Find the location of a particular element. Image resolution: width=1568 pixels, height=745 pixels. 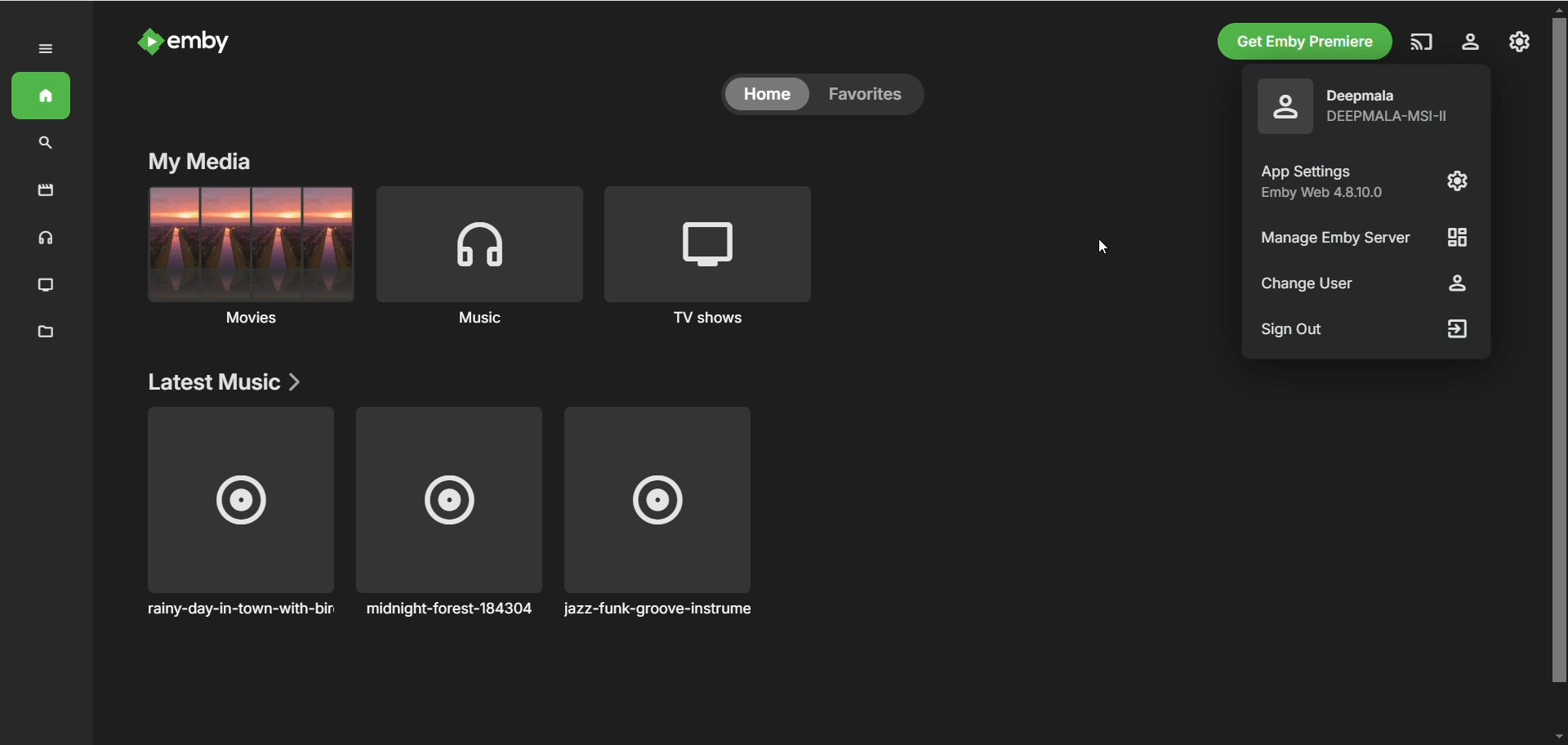

music is located at coordinates (482, 240).